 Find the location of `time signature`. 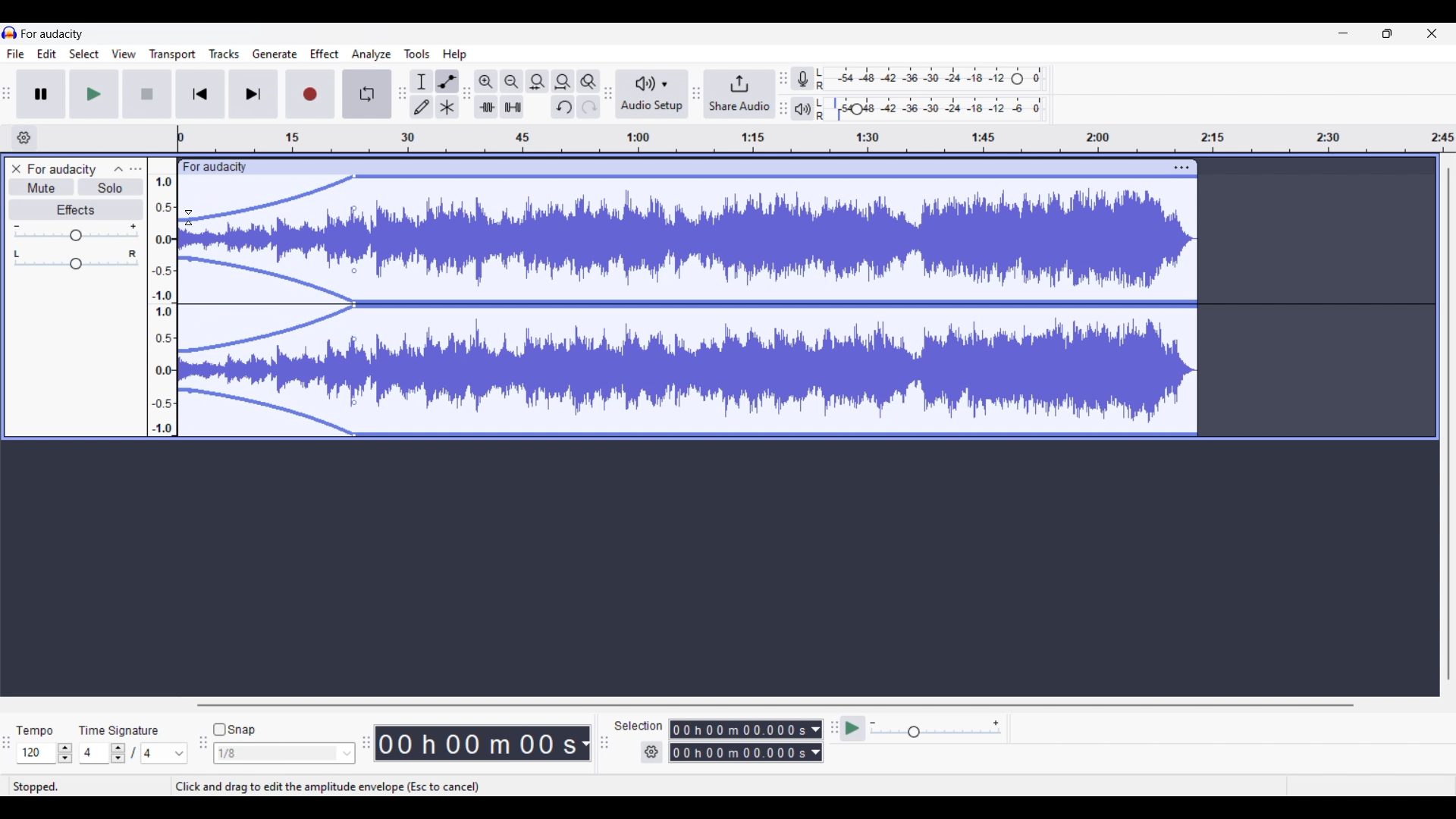

time signature is located at coordinates (118, 731).